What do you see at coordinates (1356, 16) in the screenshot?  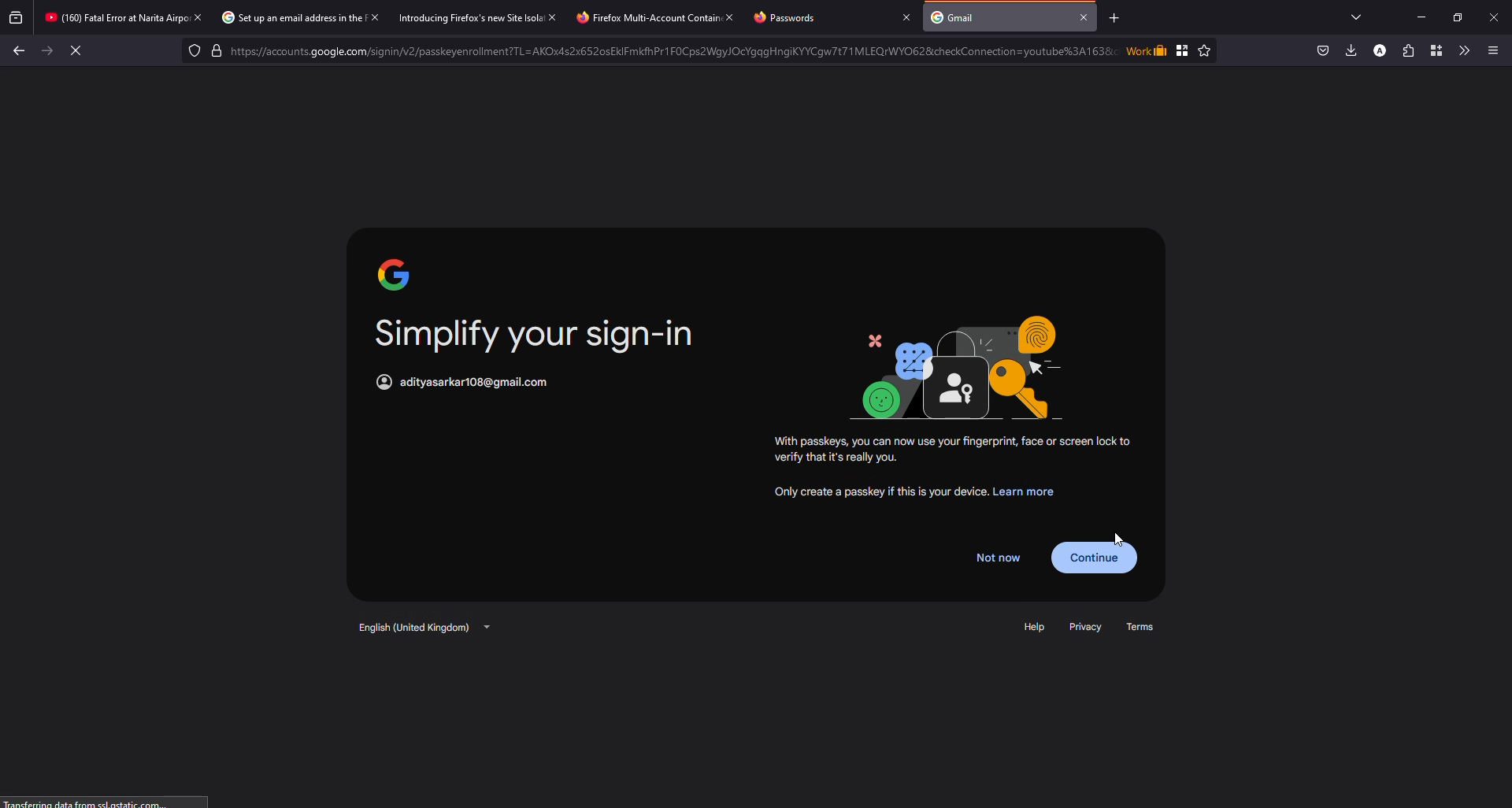 I see `tabs` at bounding box center [1356, 16].